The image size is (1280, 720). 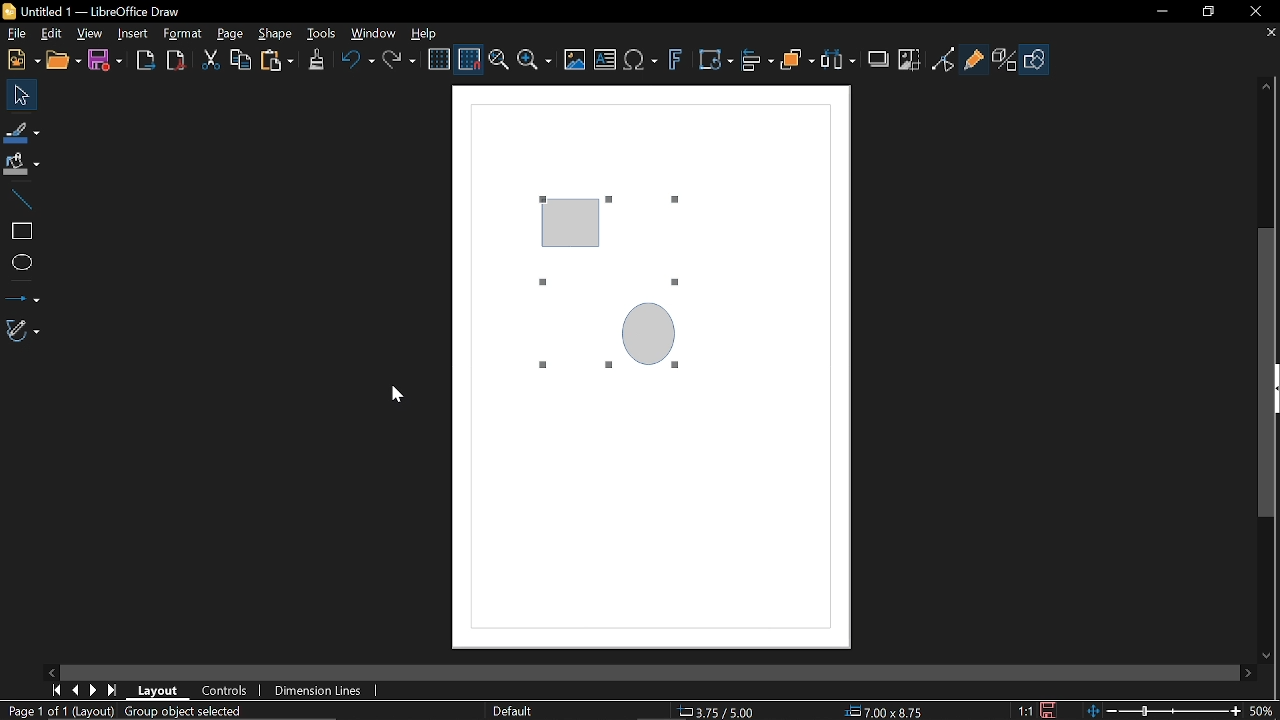 I want to click on Help, so click(x=428, y=33).